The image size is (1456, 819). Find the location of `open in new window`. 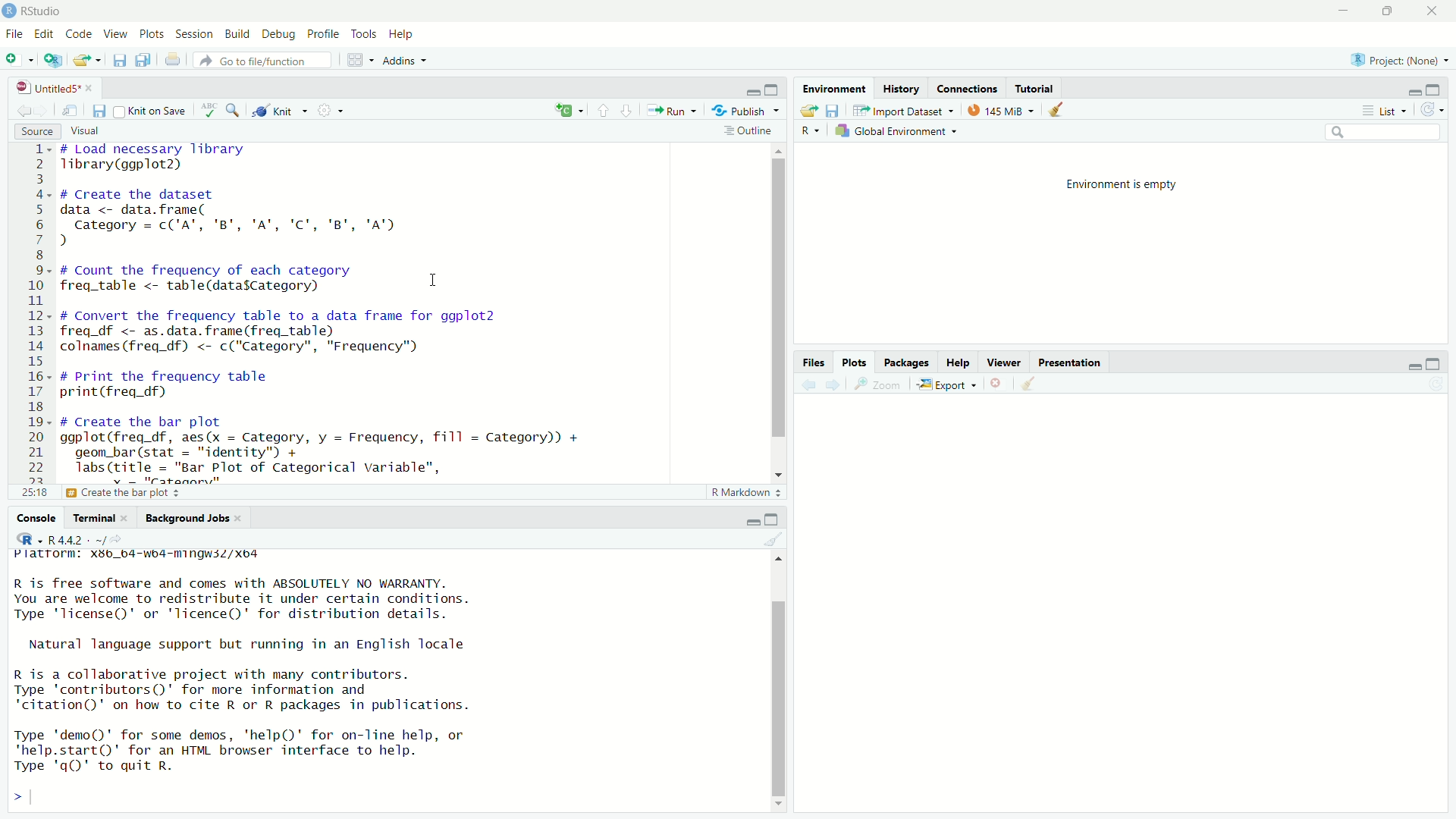

open in new window is located at coordinates (69, 111).